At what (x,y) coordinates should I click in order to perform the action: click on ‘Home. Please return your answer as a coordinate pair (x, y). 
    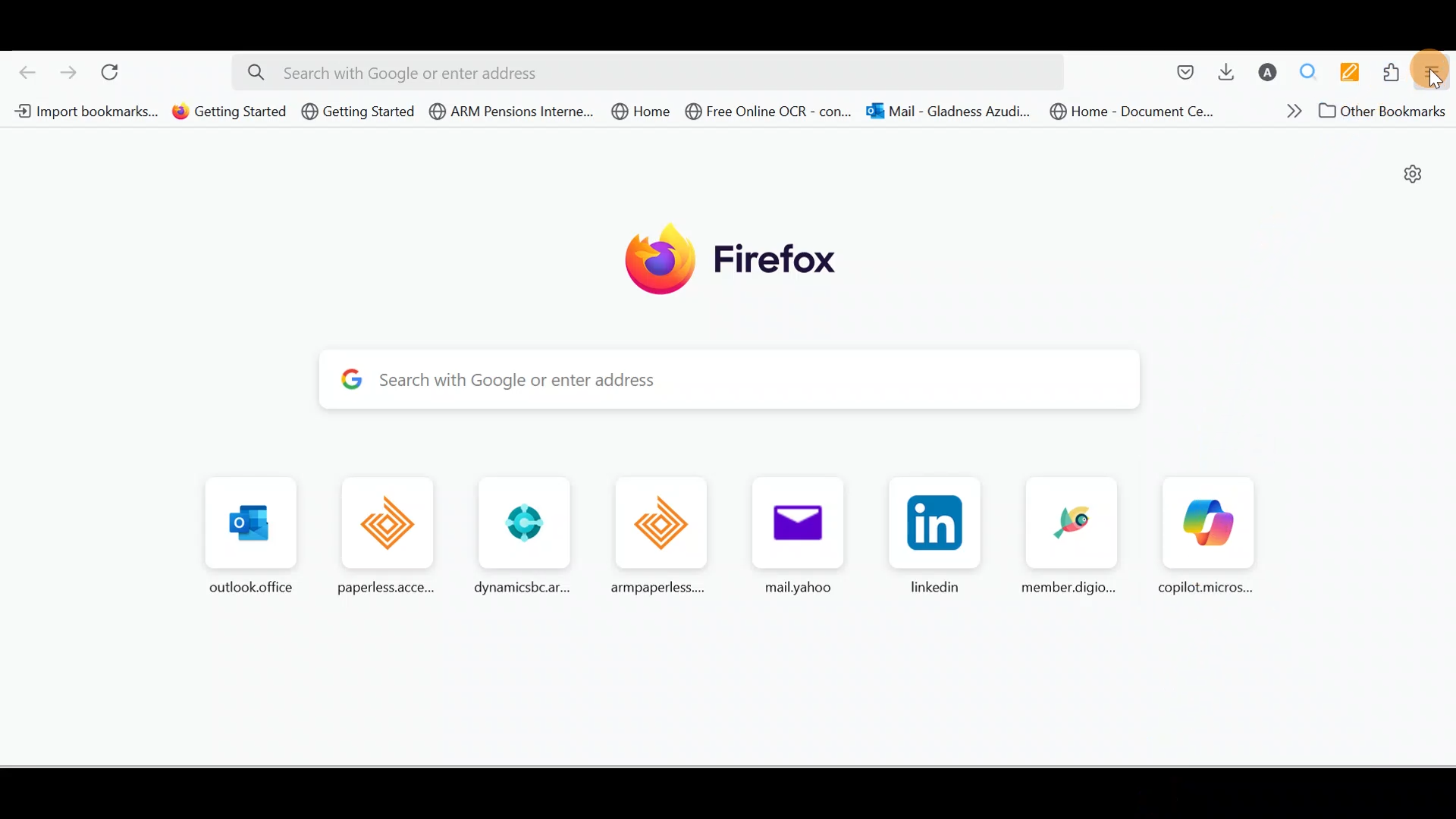
    Looking at the image, I should click on (642, 111).